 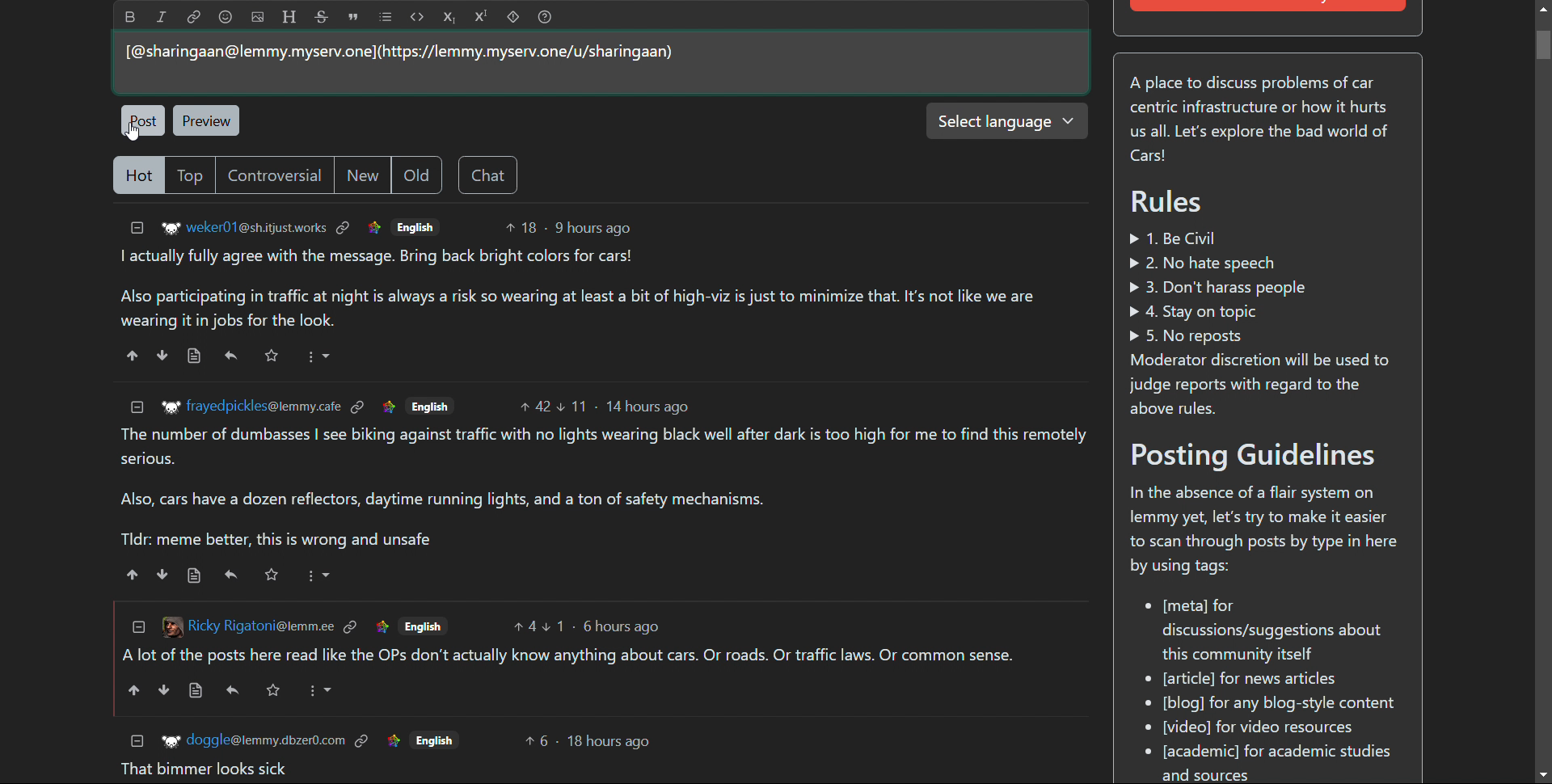 What do you see at coordinates (538, 740) in the screenshot?
I see `upvotes 6` at bounding box center [538, 740].